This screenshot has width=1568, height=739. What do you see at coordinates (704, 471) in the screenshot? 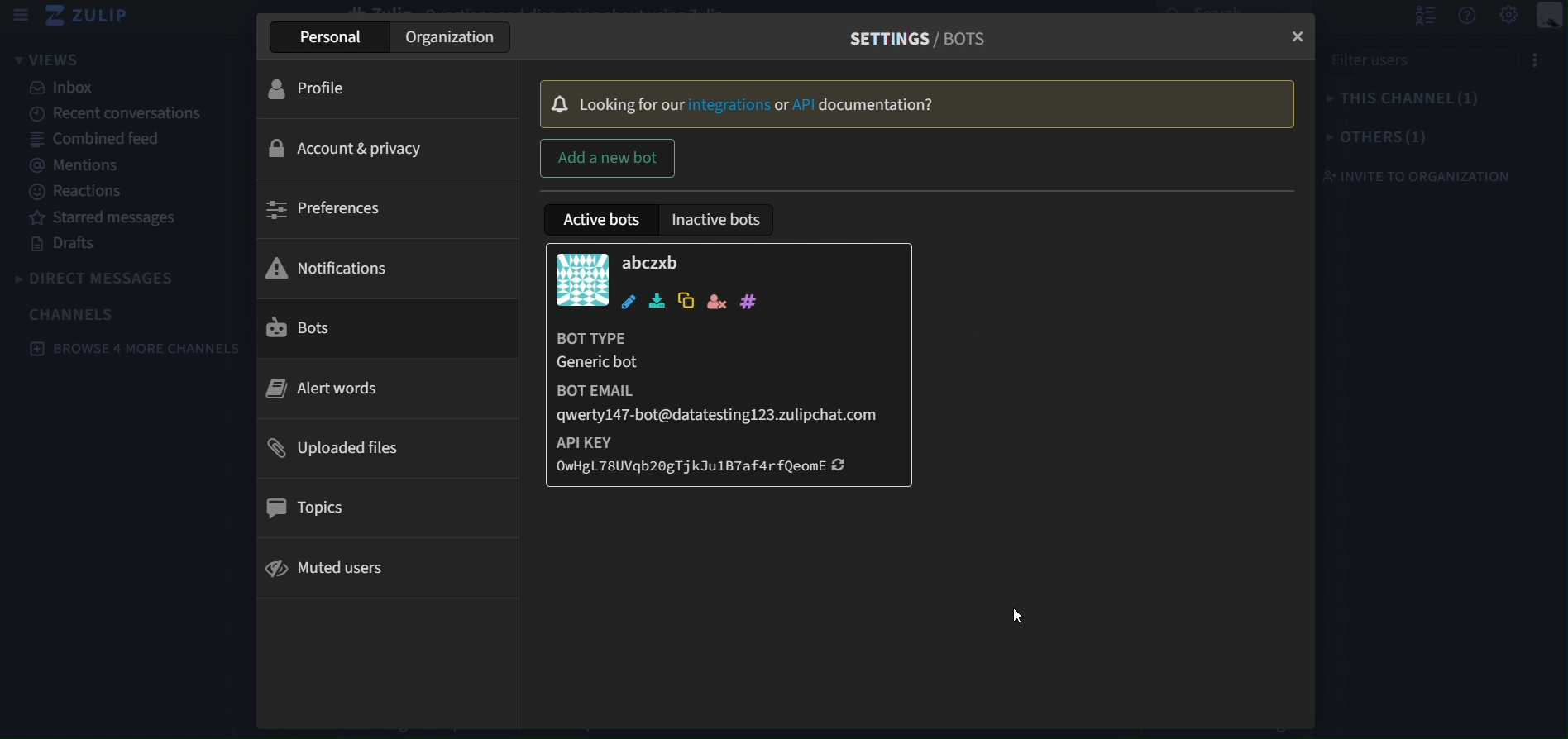
I see `OwHgL78UVqb20TjkJu1b7af4rfQeomE` at bounding box center [704, 471].